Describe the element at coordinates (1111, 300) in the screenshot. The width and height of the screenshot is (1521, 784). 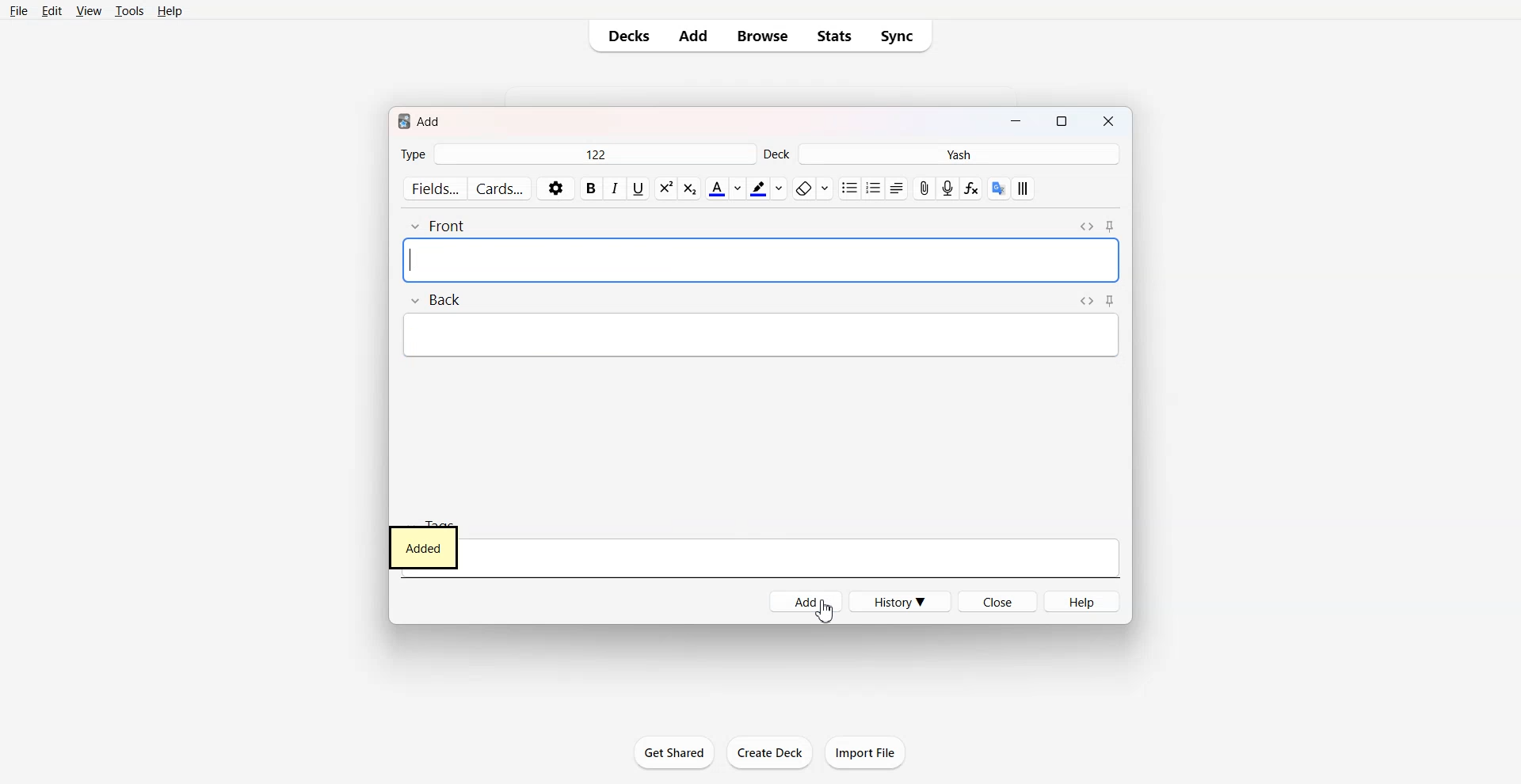
I see `Toggle Sticky` at that location.